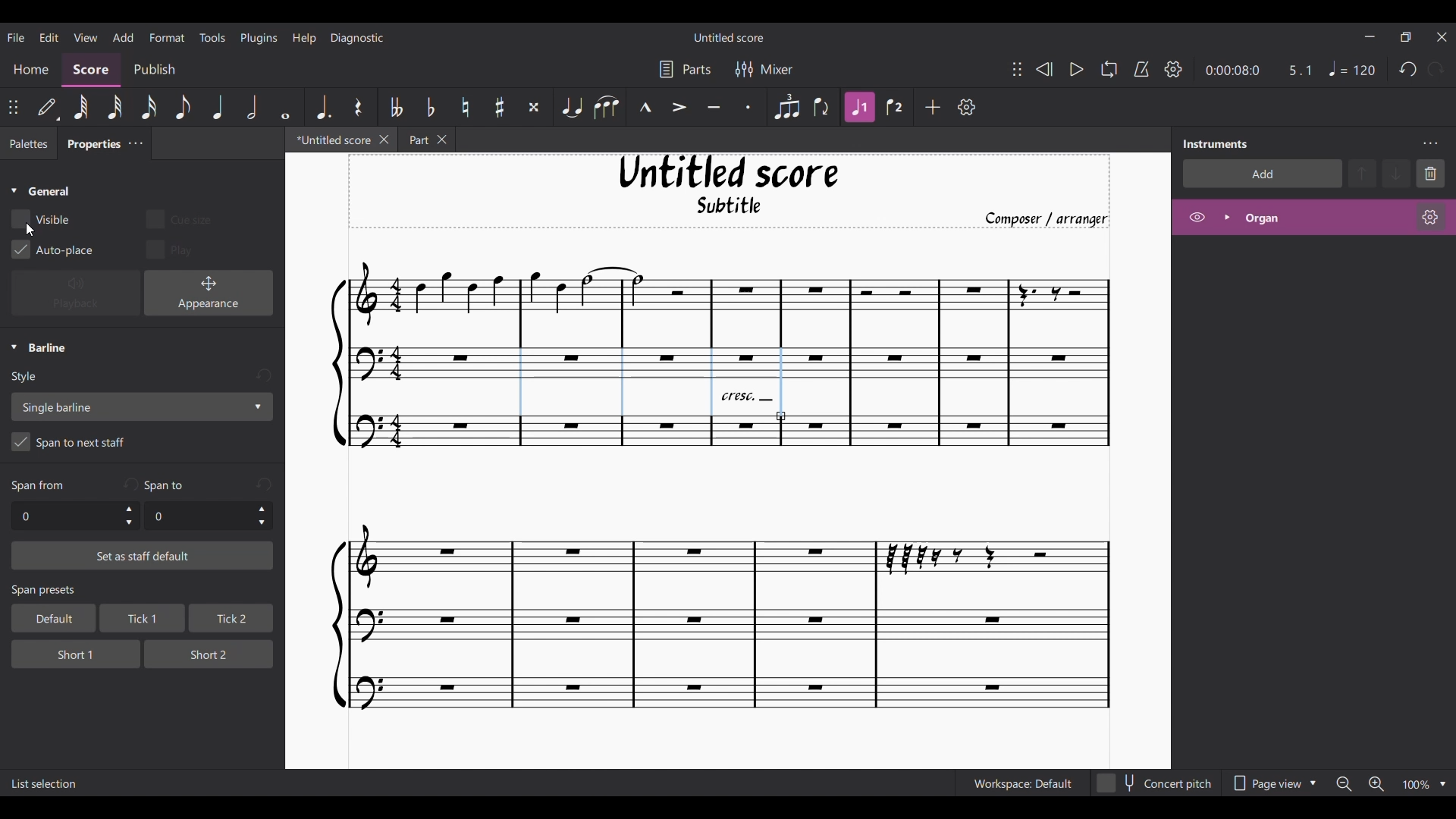 Image resolution: width=1456 pixels, height=819 pixels. I want to click on Span to next staff, so click(142, 444).